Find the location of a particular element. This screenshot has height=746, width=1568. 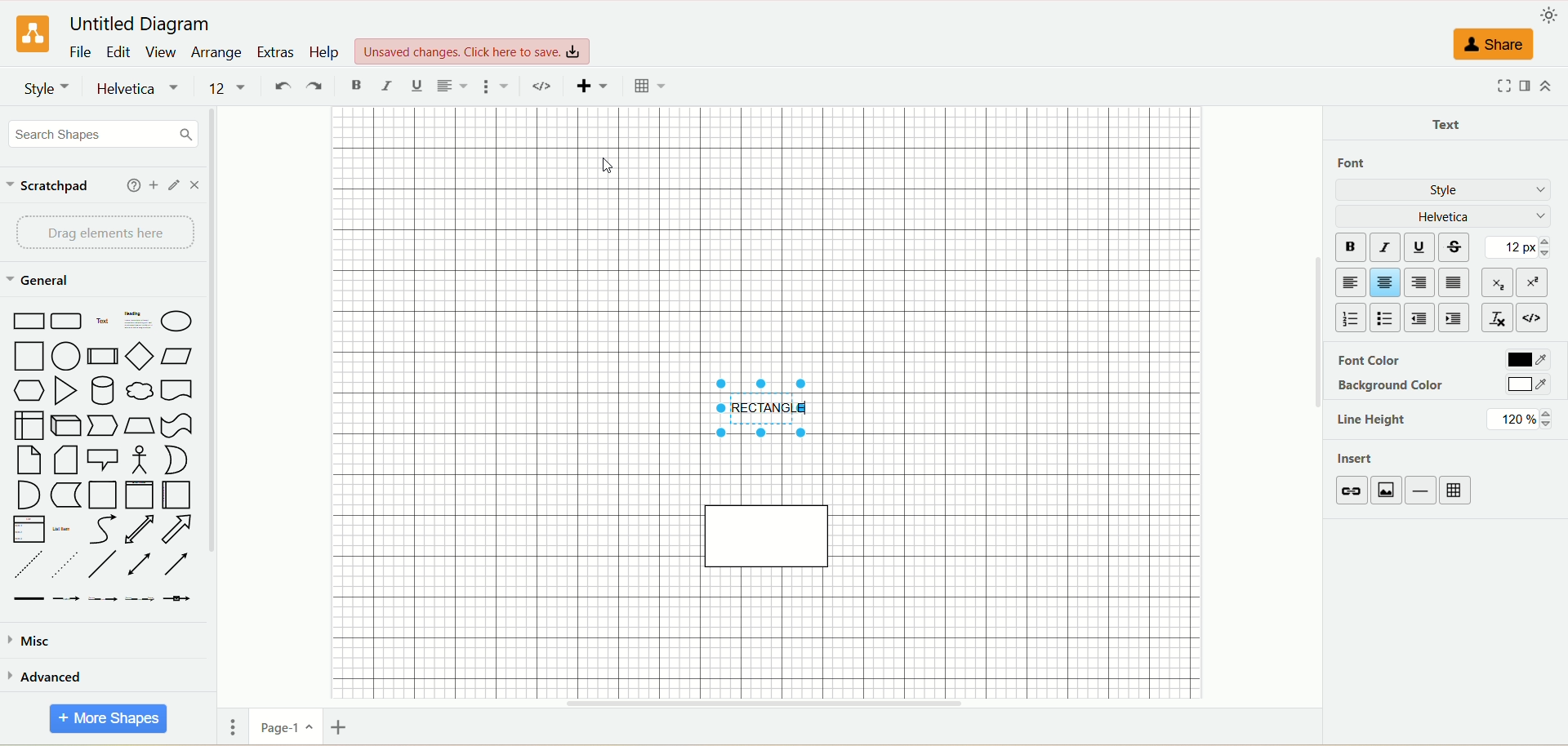

image is located at coordinates (1388, 491).